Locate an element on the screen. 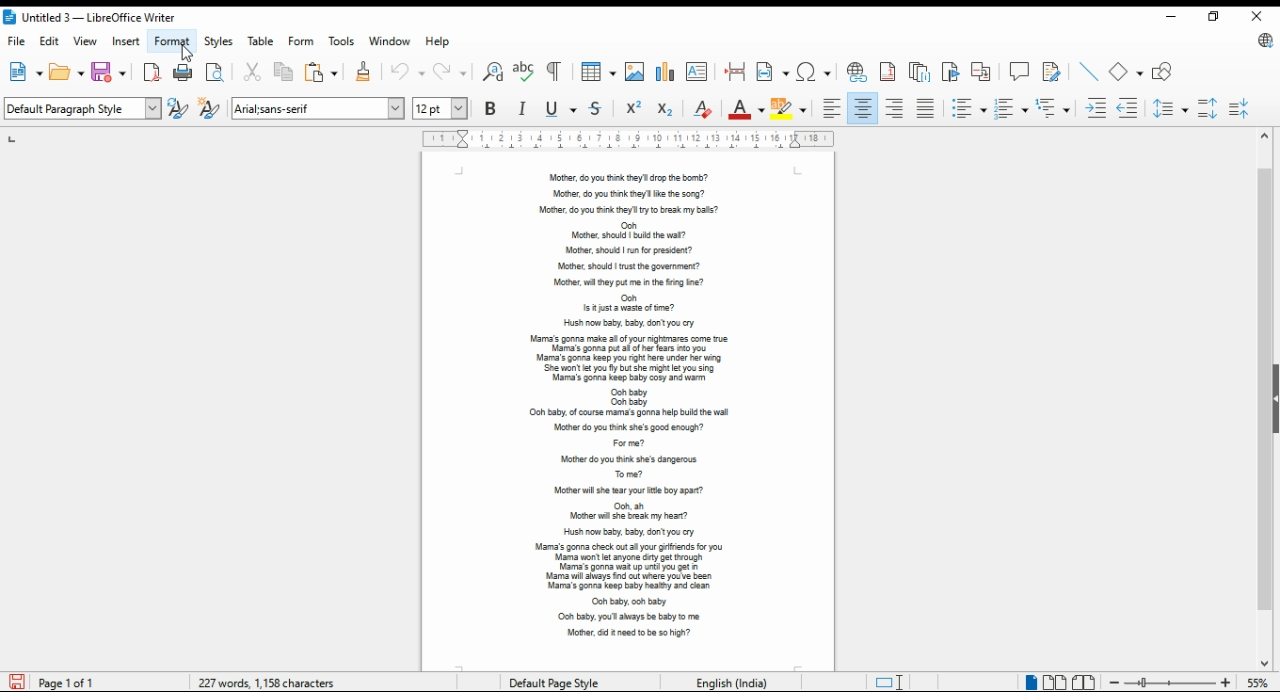  undo is located at coordinates (408, 72).